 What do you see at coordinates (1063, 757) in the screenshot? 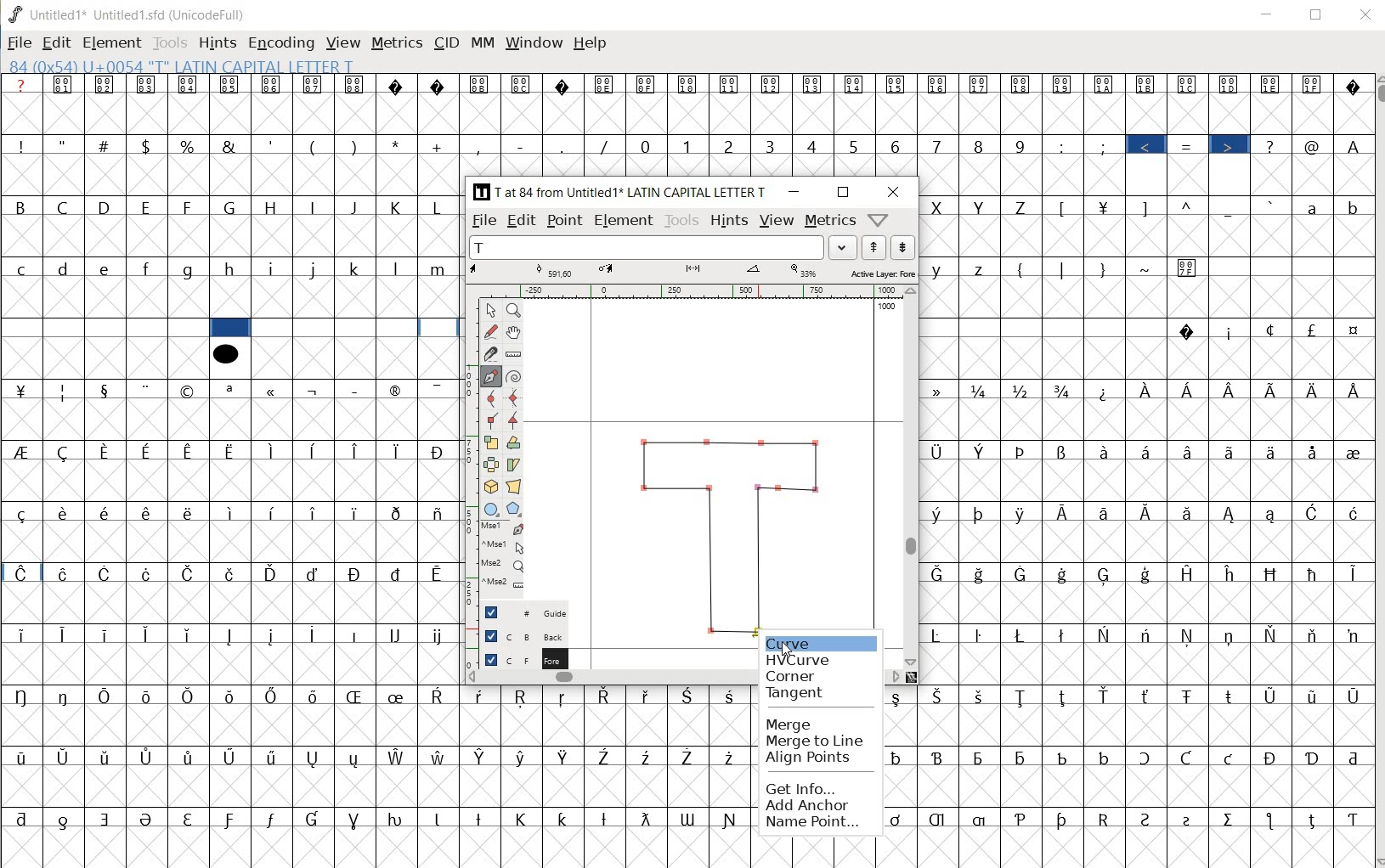
I see `Symbol` at bounding box center [1063, 757].